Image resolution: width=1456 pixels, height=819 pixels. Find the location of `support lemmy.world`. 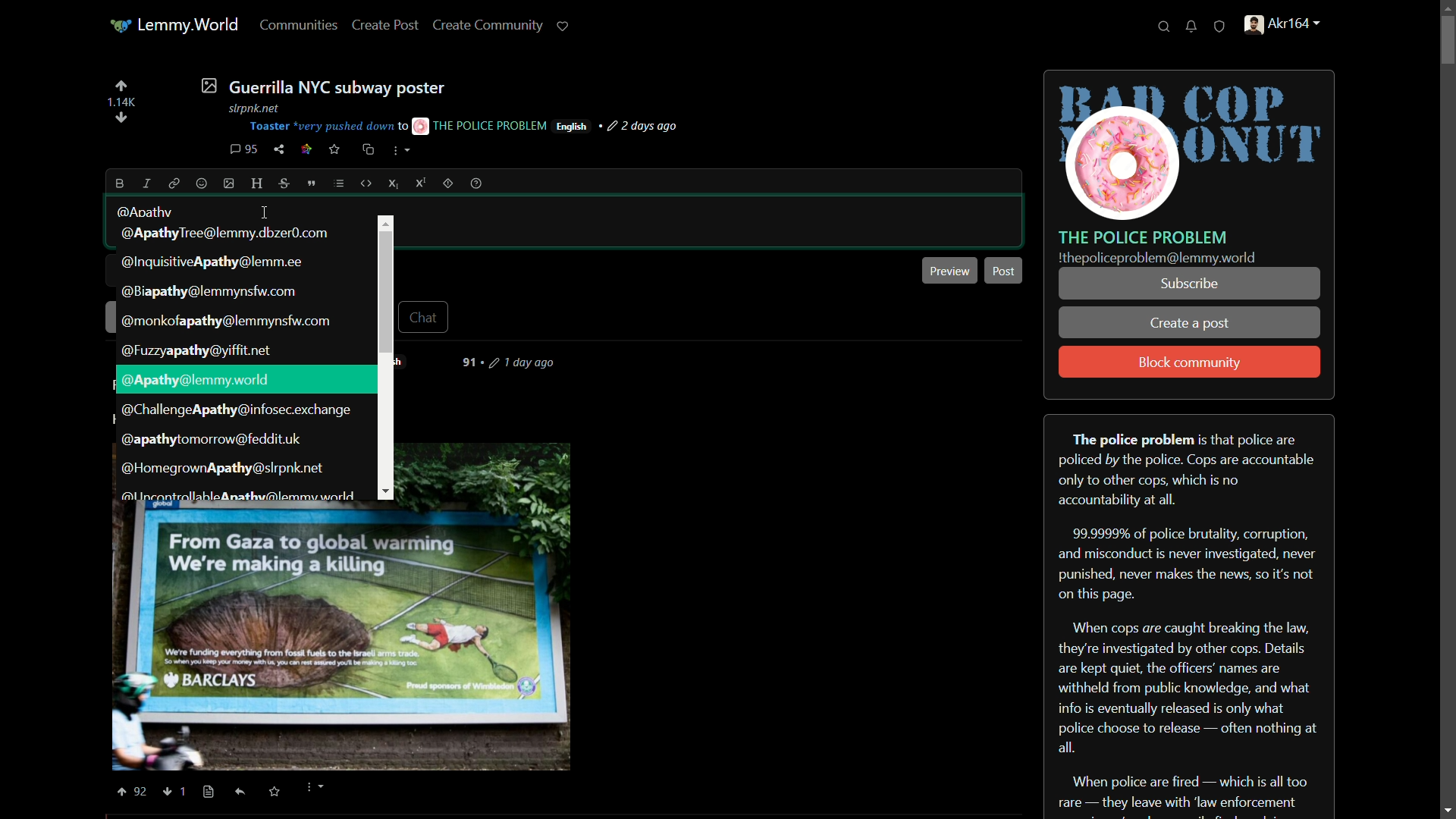

support lemmy.world is located at coordinates (563, 26).